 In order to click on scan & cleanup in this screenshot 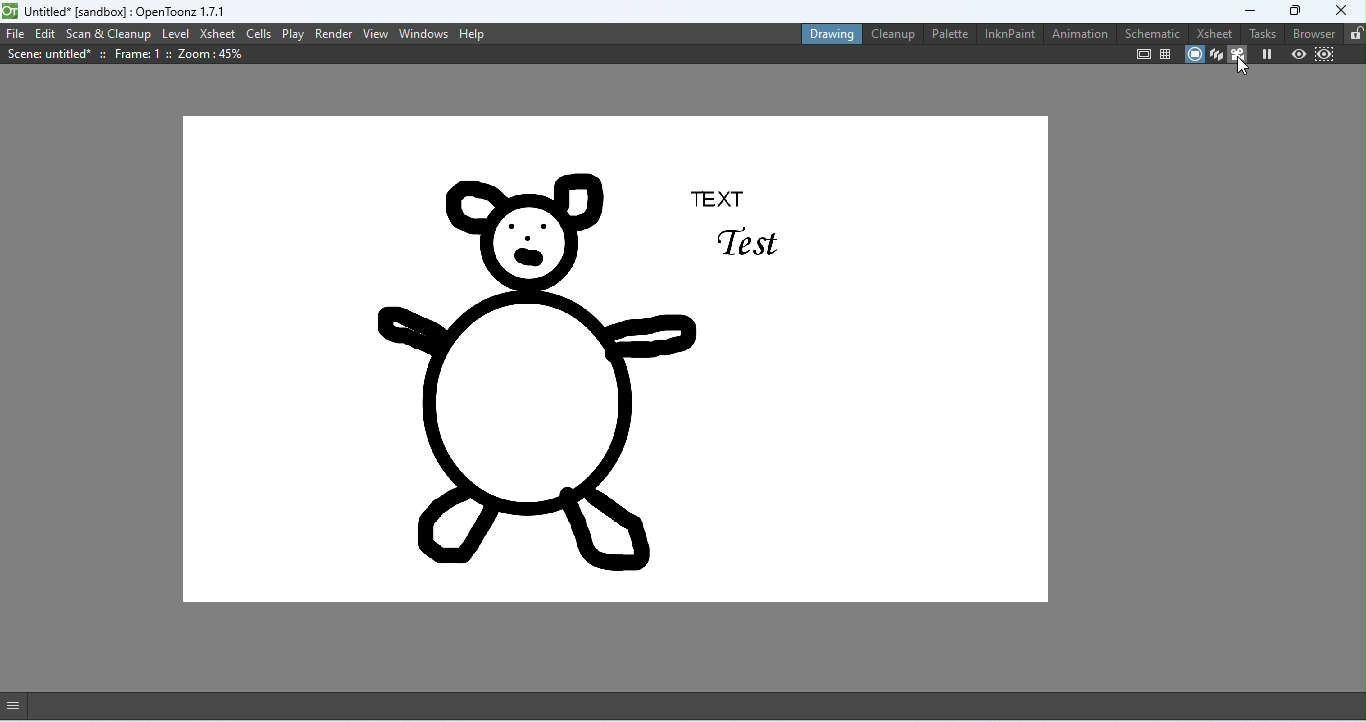, I will do `click(110, 34)`.